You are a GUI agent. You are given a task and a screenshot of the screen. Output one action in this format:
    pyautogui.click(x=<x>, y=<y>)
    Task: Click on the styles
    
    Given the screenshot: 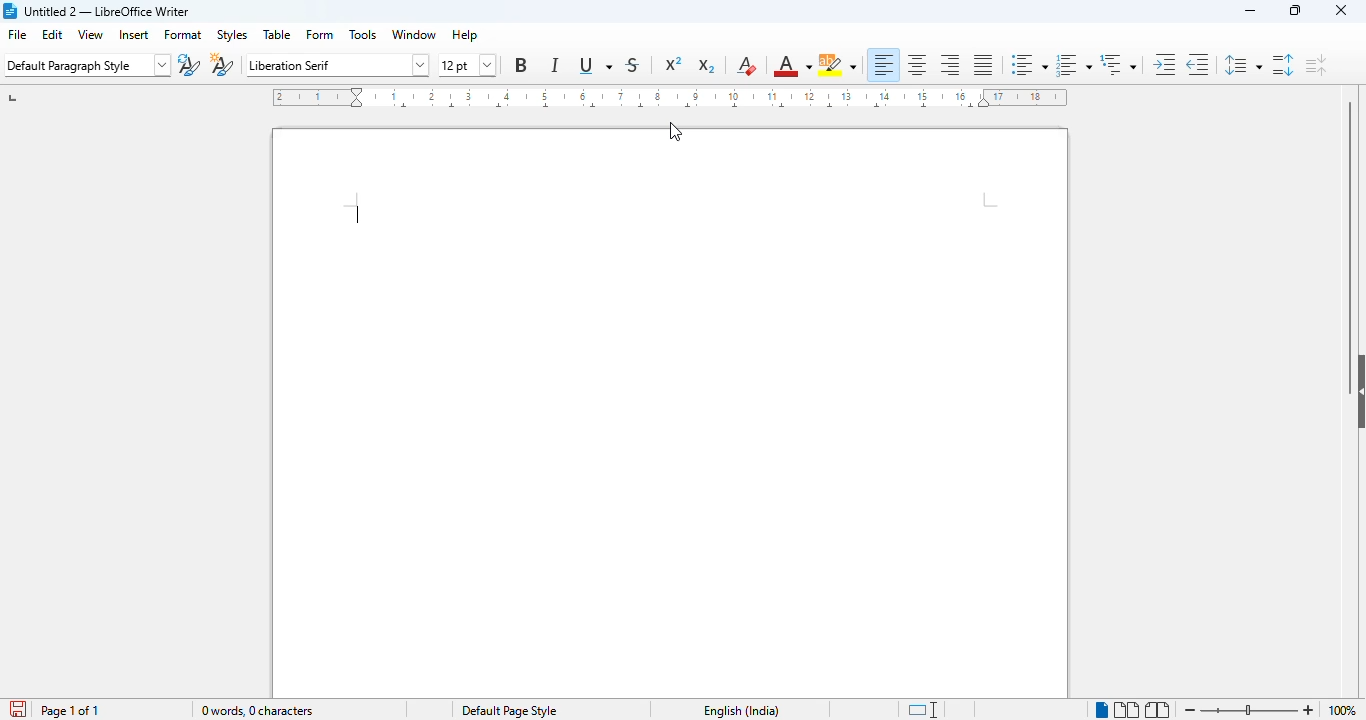 What is the action you would take?
    pyautogui.click(x=233, y=35)
    